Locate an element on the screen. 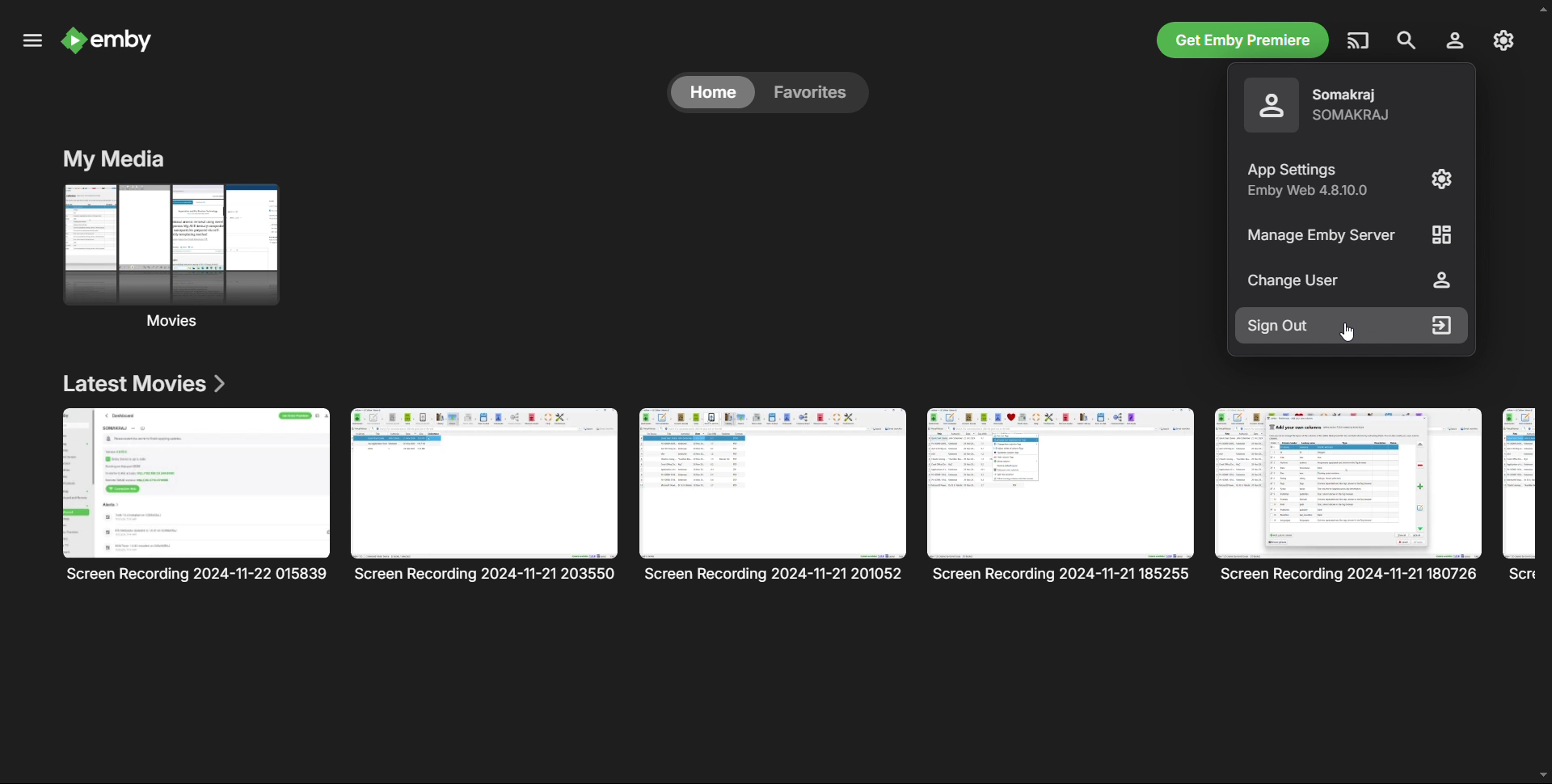 This screenshot has height=784, width=1552. Movie is located at coordinates (1061, 494).